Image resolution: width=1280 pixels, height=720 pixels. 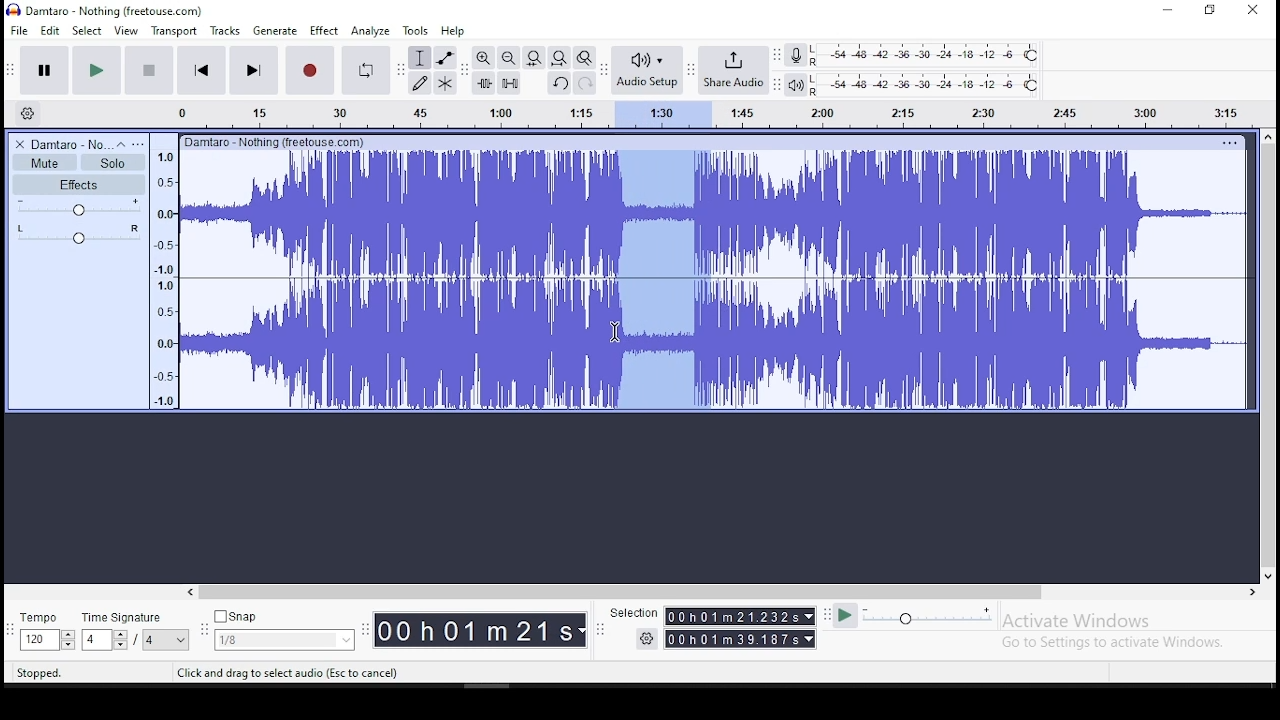 What do you see at coordinates (796, 54) in the screenshot?
I see `record meter` at bounding box center [796, 54].